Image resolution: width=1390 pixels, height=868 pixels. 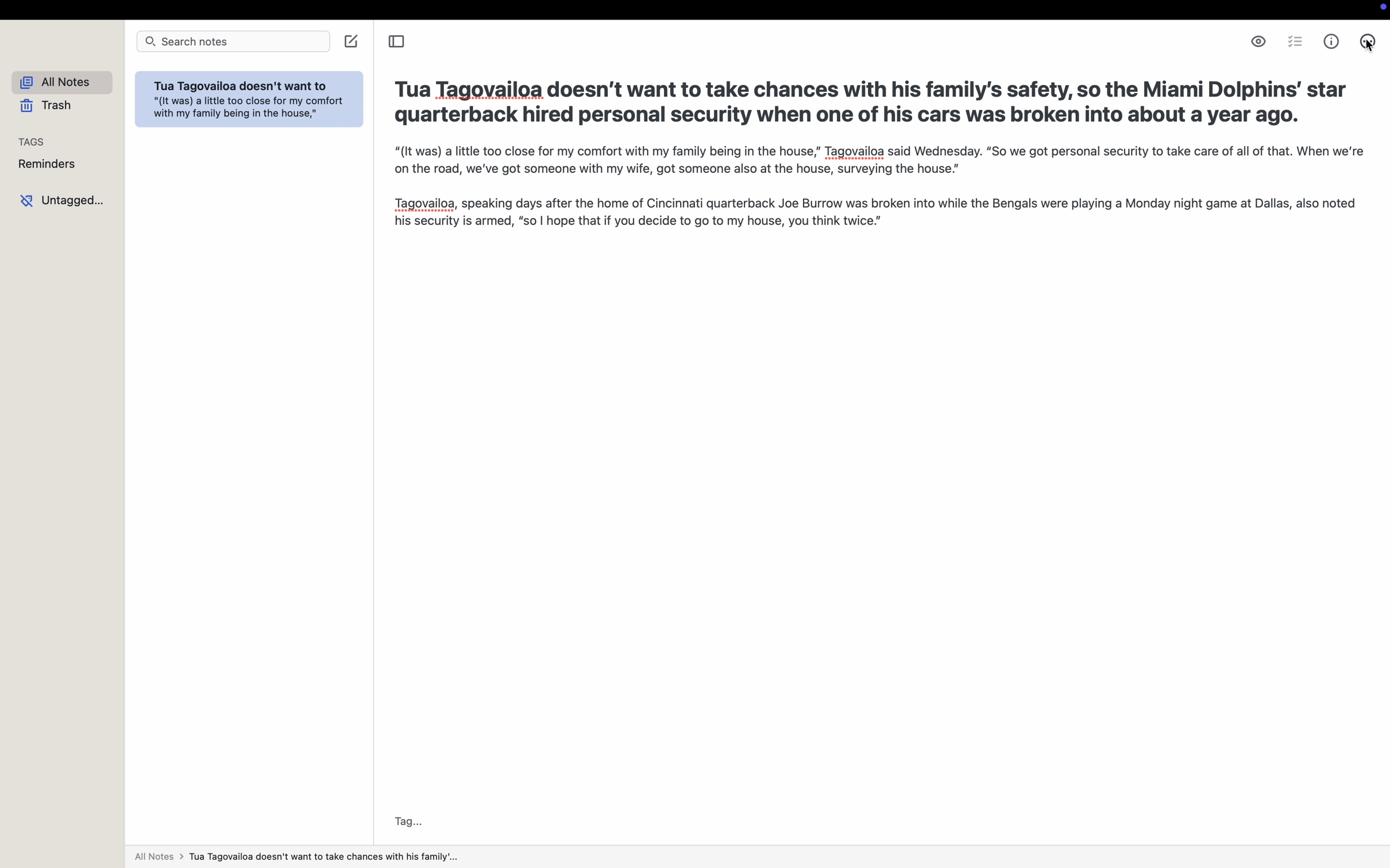 I want to click on enable markdown, so click(x=1258, y=41).